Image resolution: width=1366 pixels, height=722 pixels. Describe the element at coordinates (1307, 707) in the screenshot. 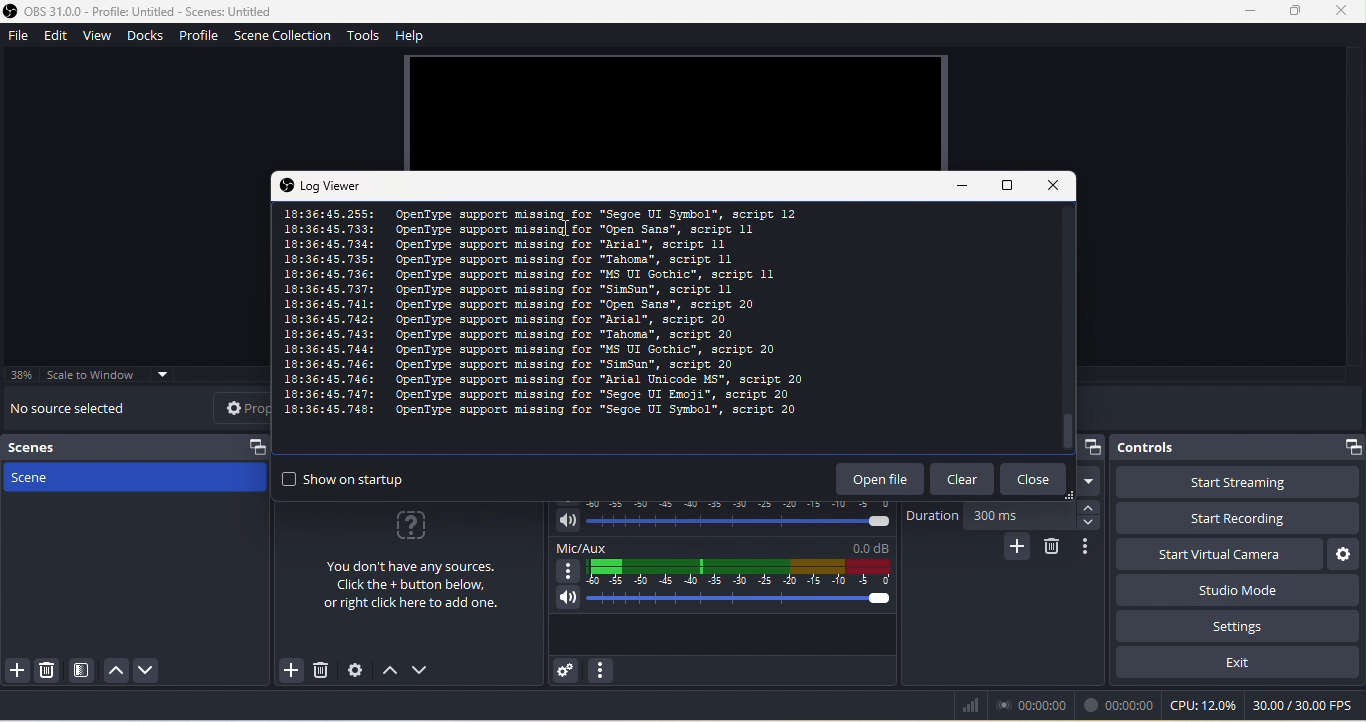

I see `30.00/30.00 fps` at that location.